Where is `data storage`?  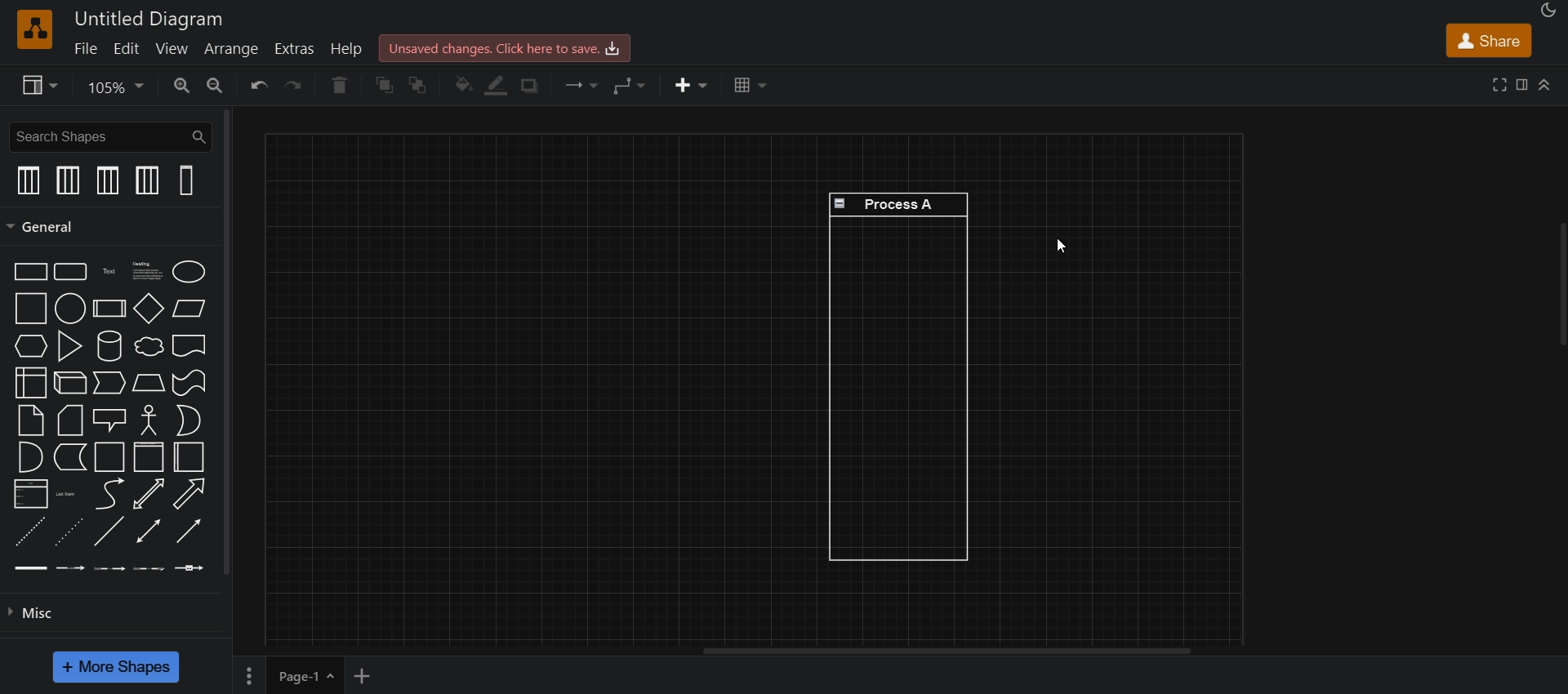 data storage is located at coordinates (69, 459).